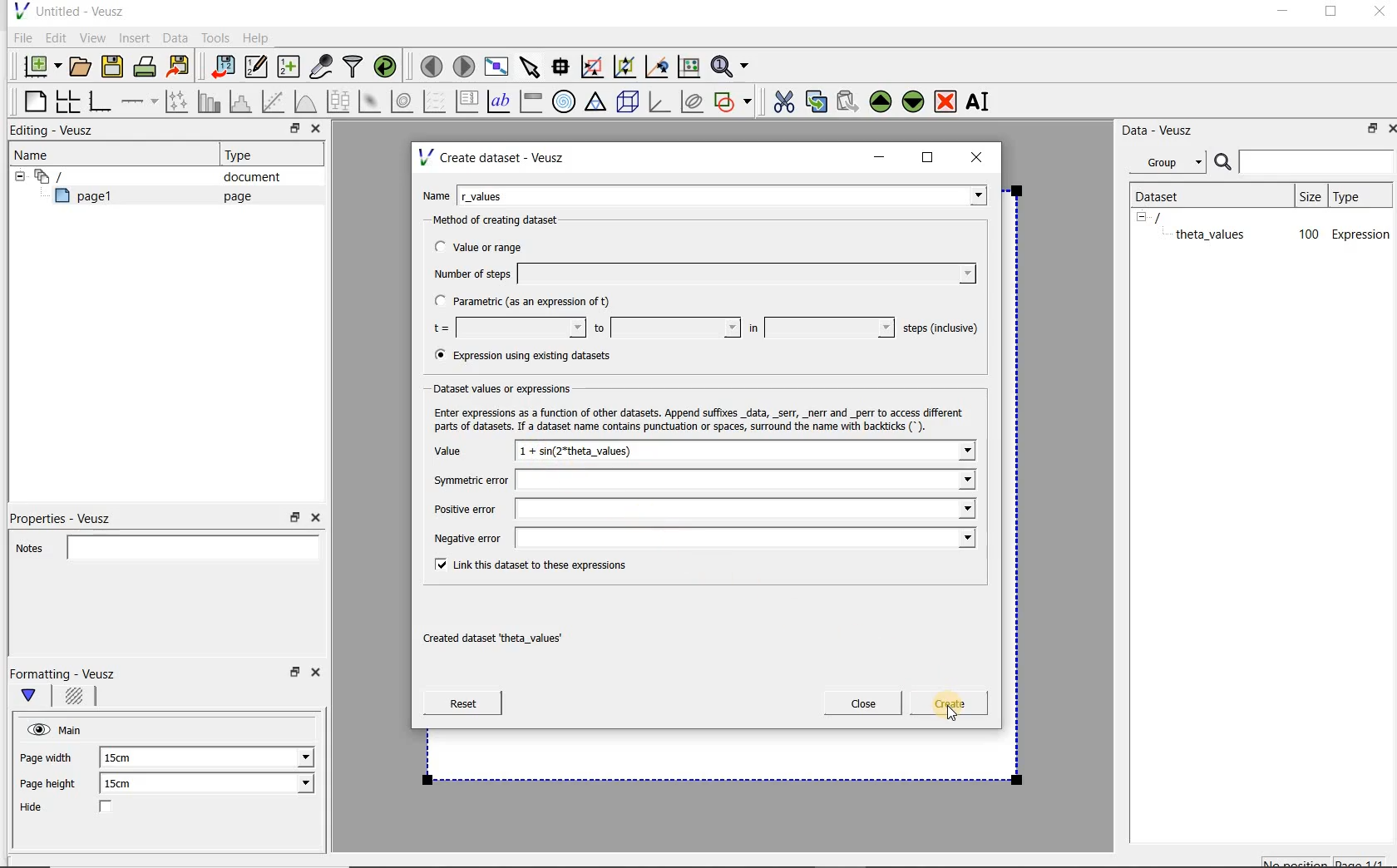  What do you see at coordinates (530, 302) in the screenshot?
I see `Parametric (as an expression of t)` at bounding box center [530, 302].